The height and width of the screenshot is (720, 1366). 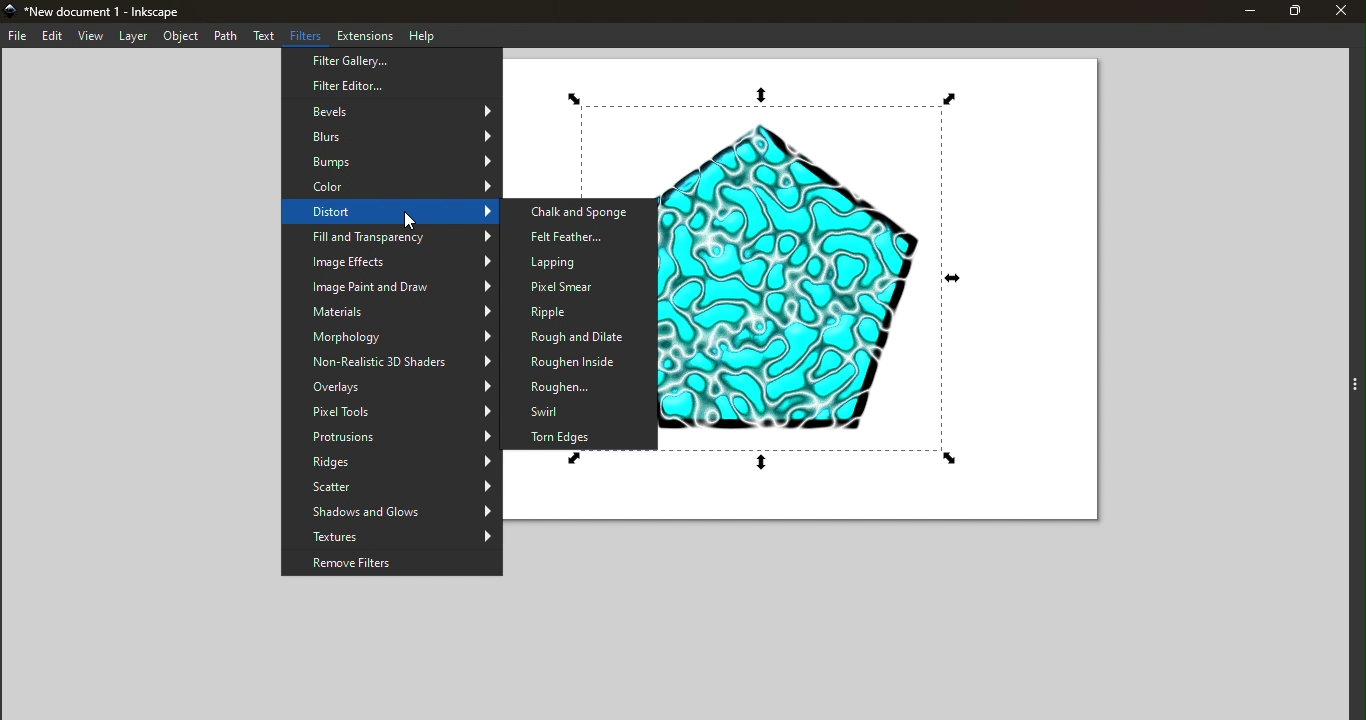 What do you see at coordinates (581, 437) in the screenshot?
I see `Torn Edges` at bounding box center [581, 437].